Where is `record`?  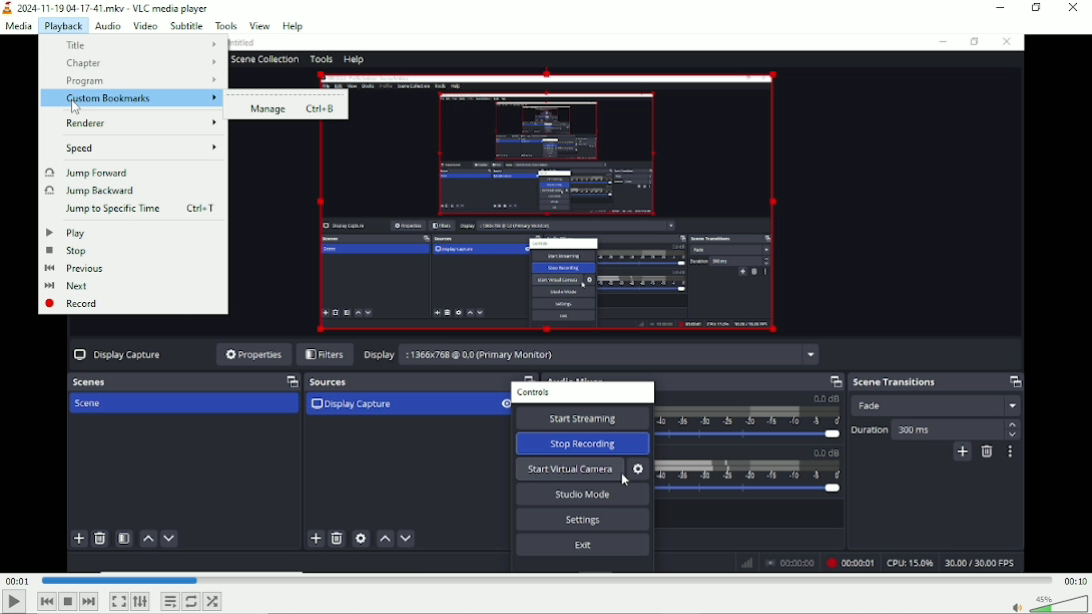
record is located at coordinates (76, 304).